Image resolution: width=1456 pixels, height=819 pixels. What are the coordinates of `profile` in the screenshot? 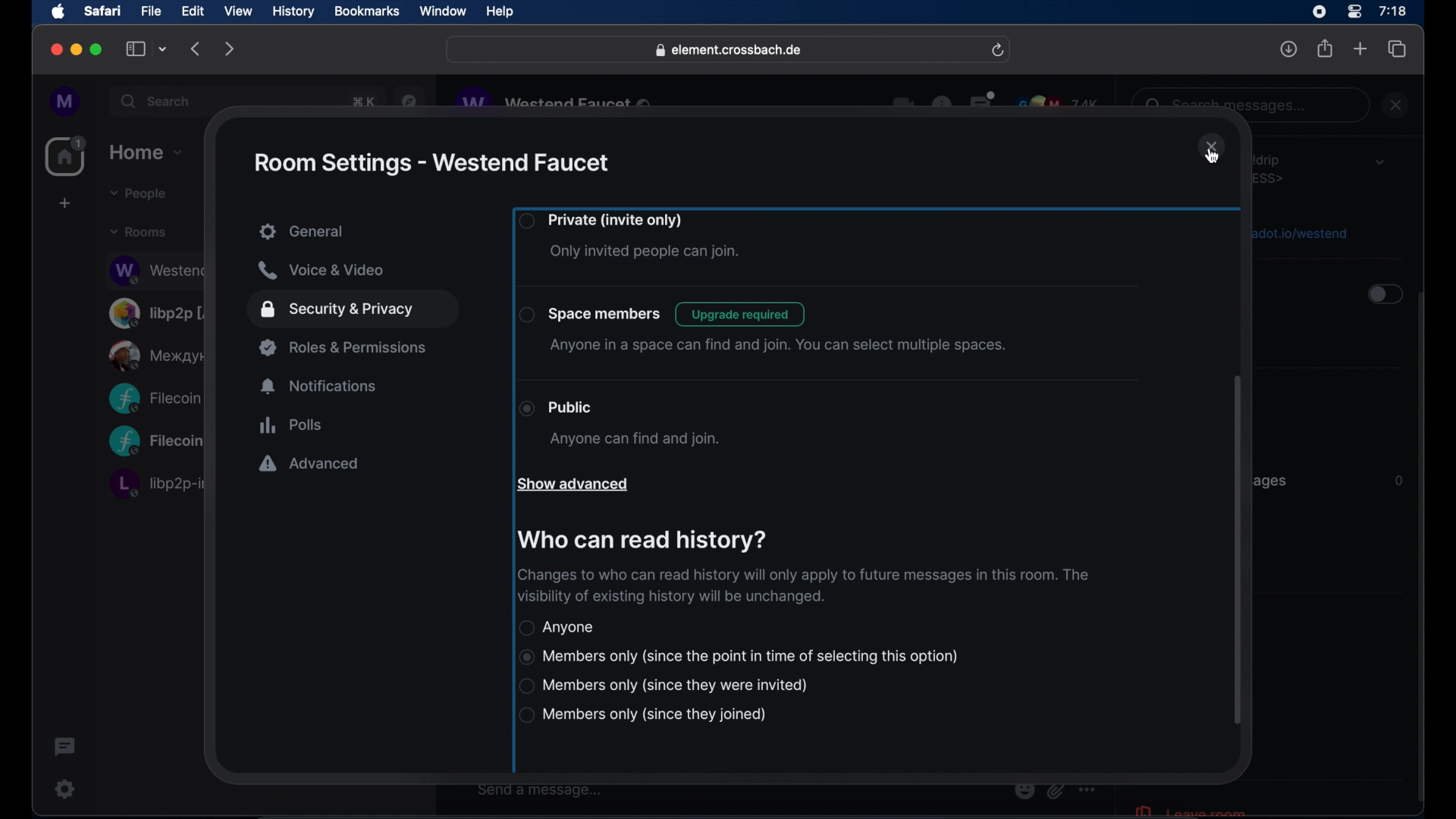 It's located at (66, 102).